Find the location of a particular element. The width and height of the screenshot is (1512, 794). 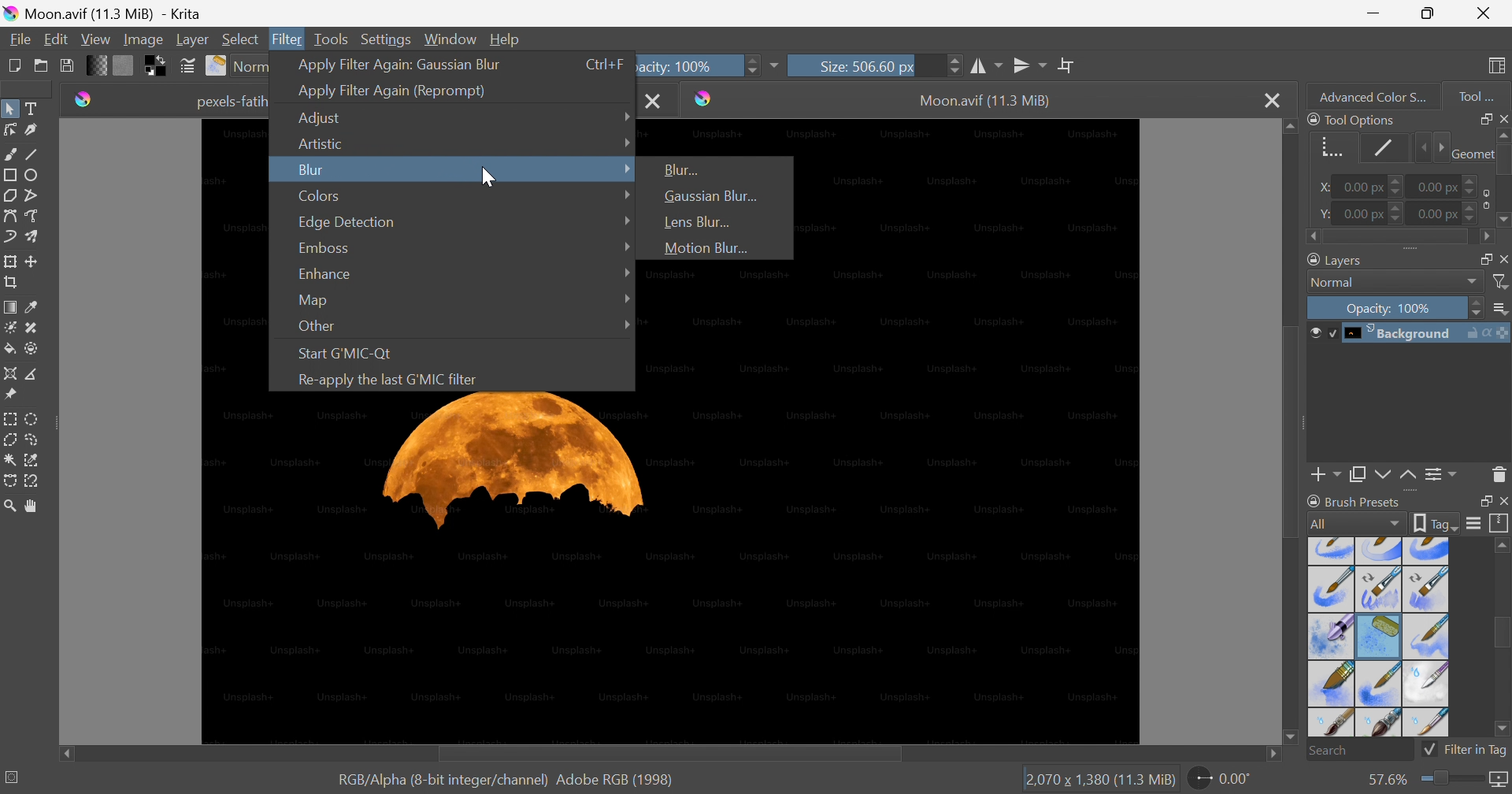

Filter by name is located at coordinates (1501, 280).